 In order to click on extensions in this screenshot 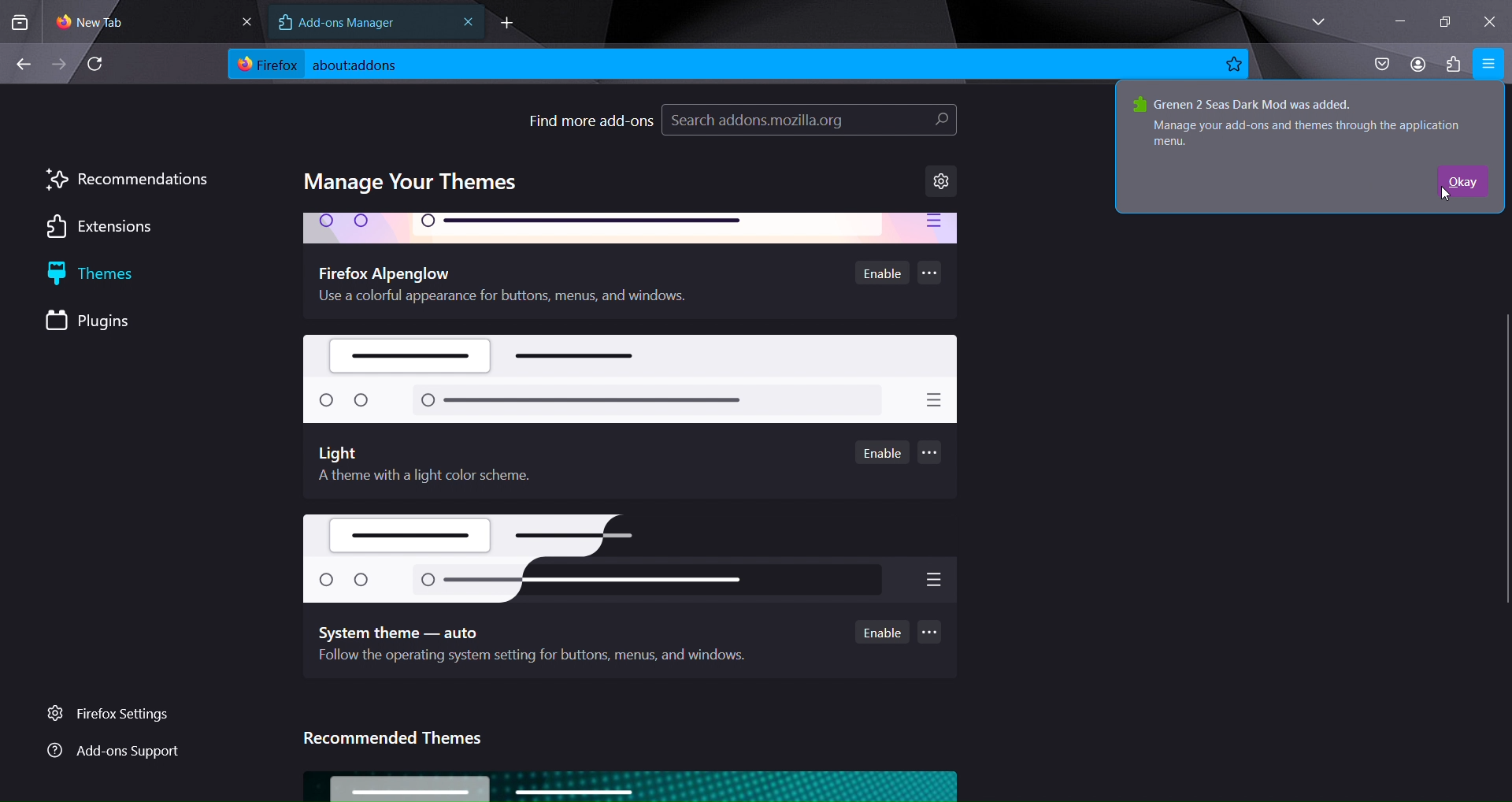, I will do `click(1451, 63)`.